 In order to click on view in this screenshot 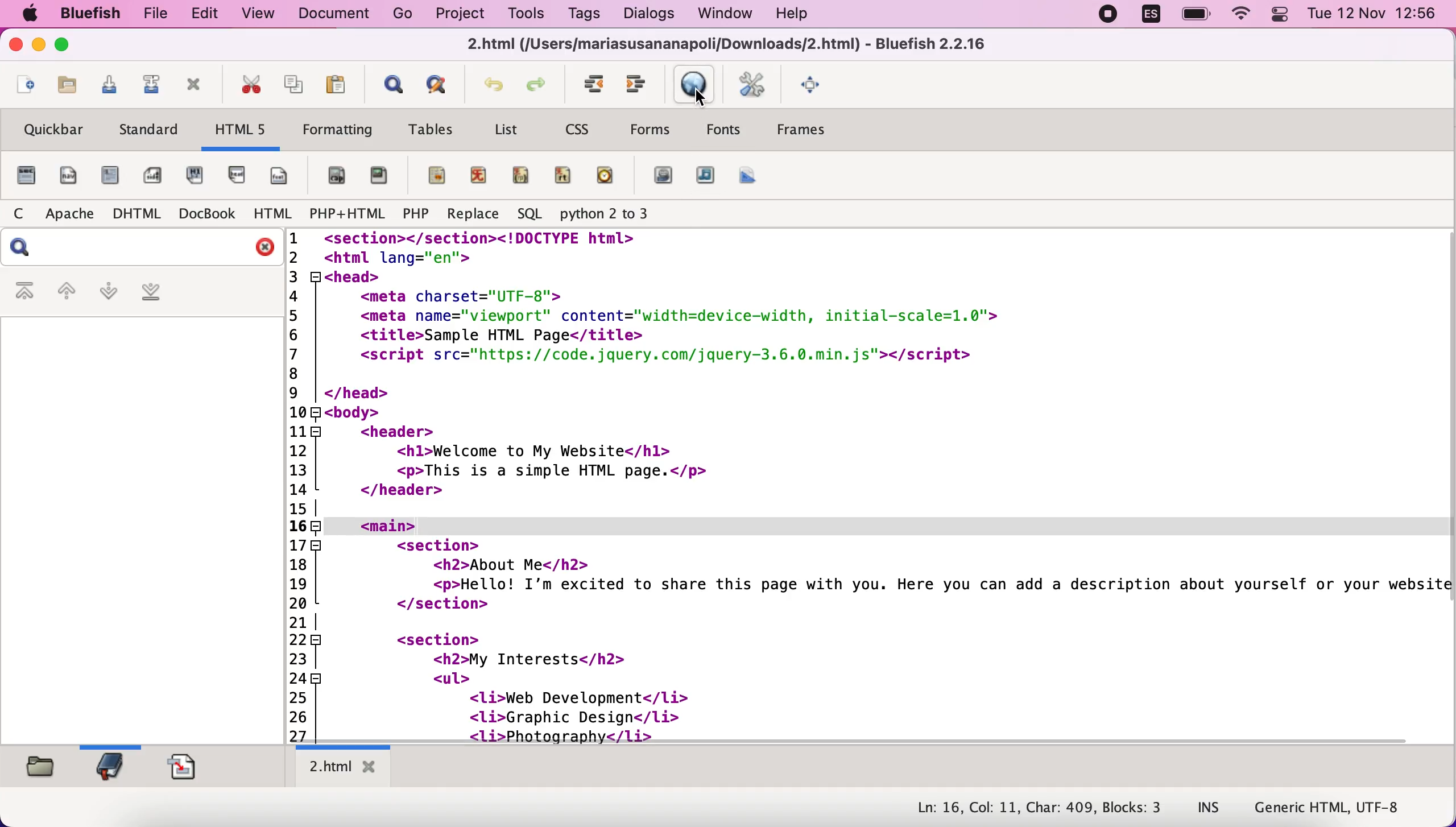, I will do `click(259, 14)`.